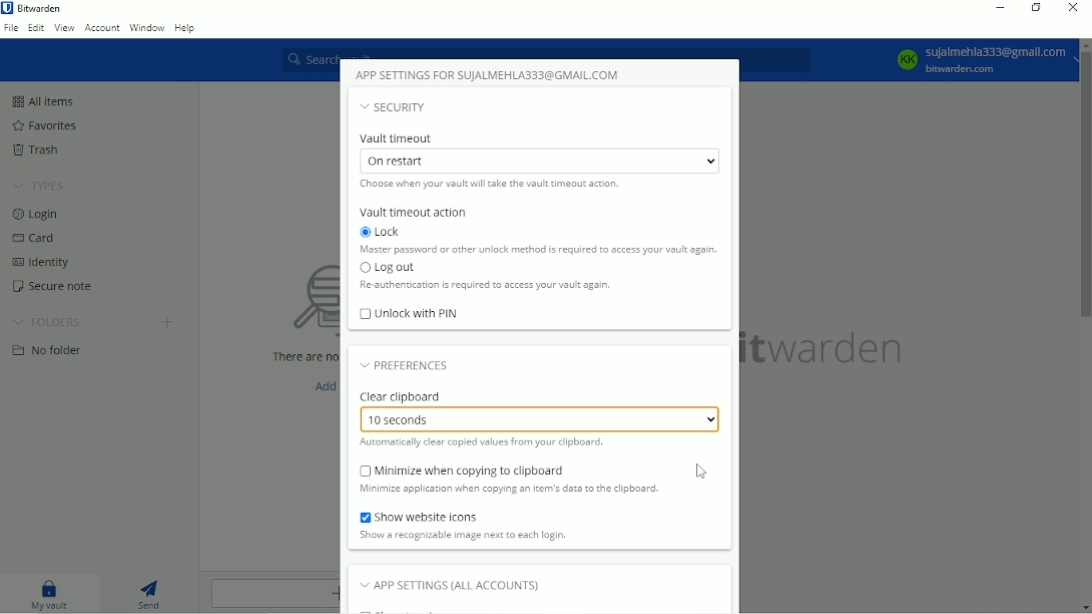 This screenshot has width=1092, height=614. Describe the element at coordinates (481, 443) in the screenshot. I see `Automatically clear copied values from your clipboard.` at that location.